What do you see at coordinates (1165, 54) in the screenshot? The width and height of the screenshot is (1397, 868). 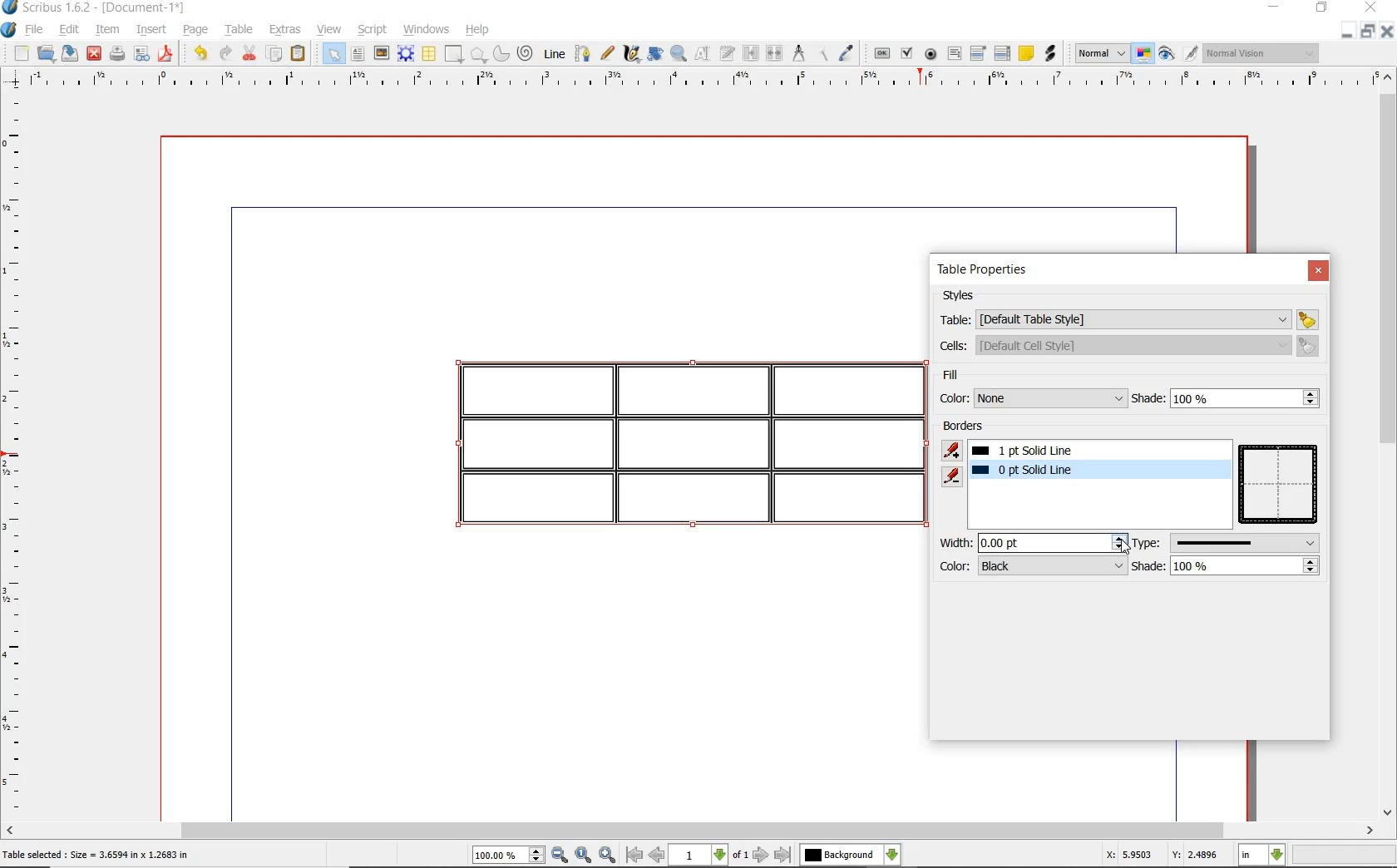 I see `preview mode` at bounding box center [1165, 54].